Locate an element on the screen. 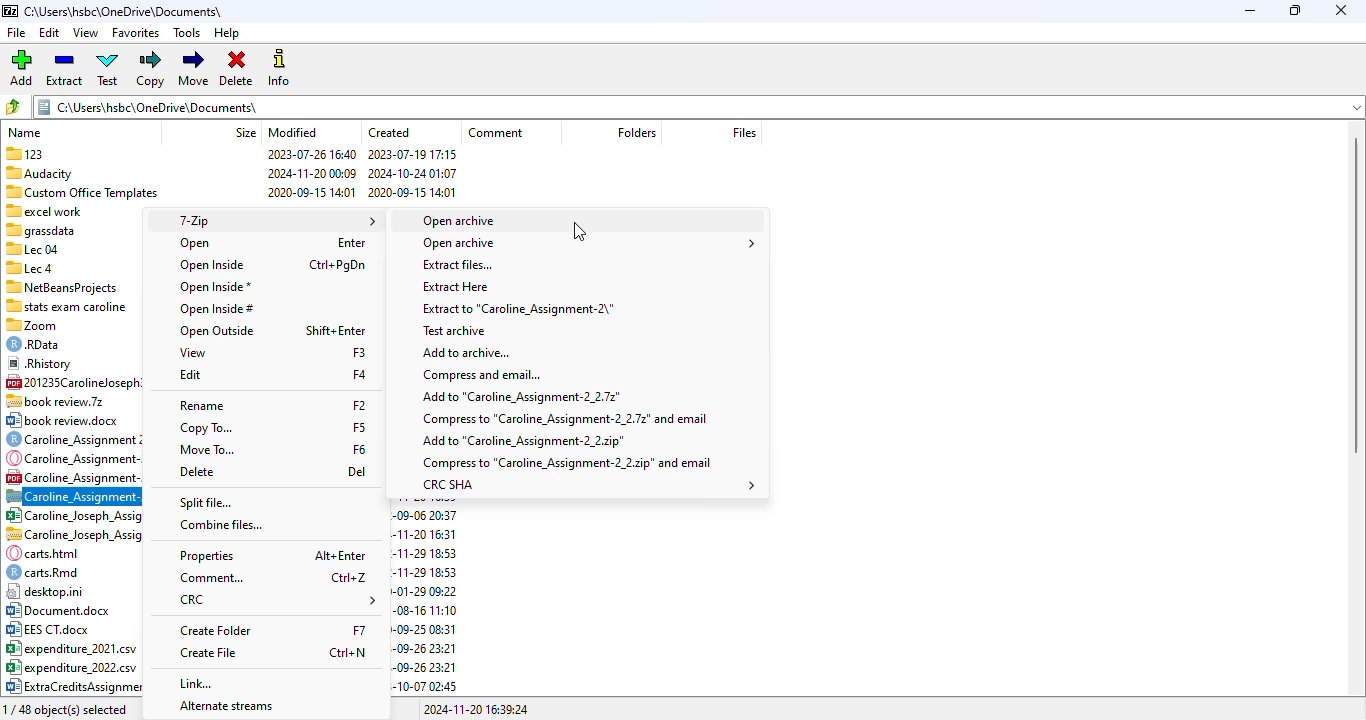  ~~. Caroline Joseph Assign... 92731 2024-11-20 16:31 2024-11-20 16:31 is located at coordinates (73, 534).